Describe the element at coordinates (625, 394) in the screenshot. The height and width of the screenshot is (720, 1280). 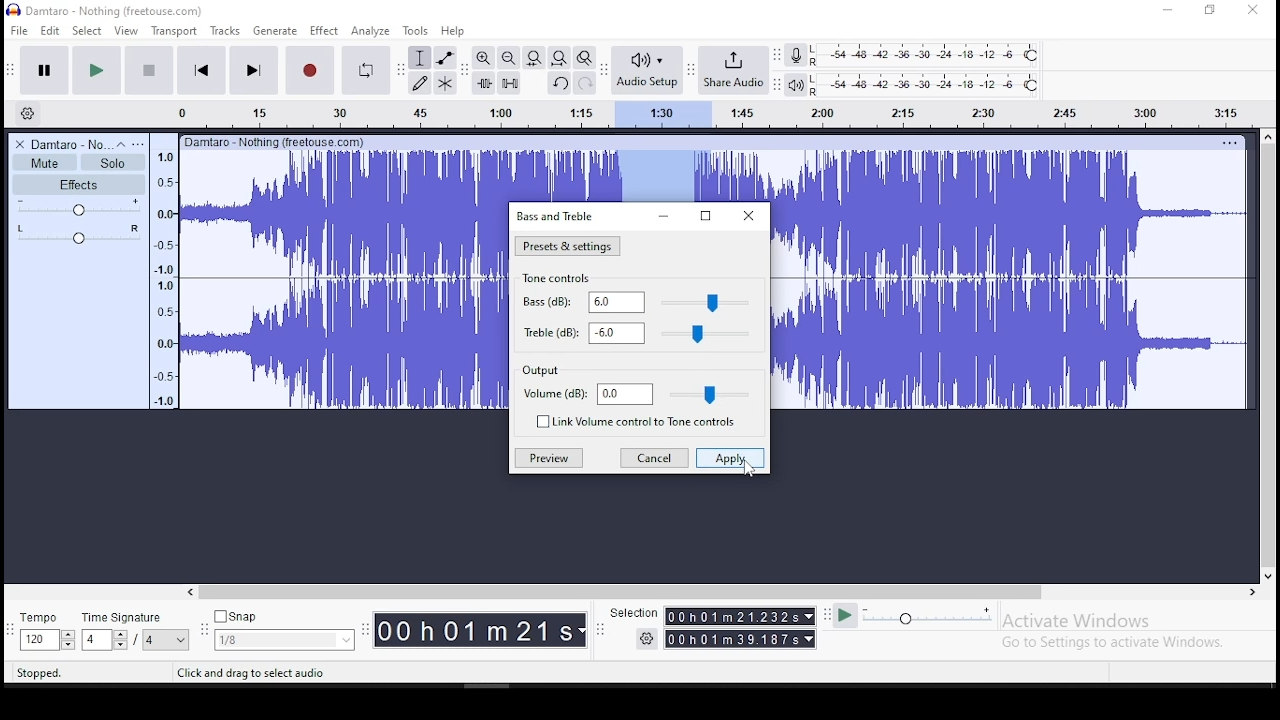
I see `0.0` at that location.